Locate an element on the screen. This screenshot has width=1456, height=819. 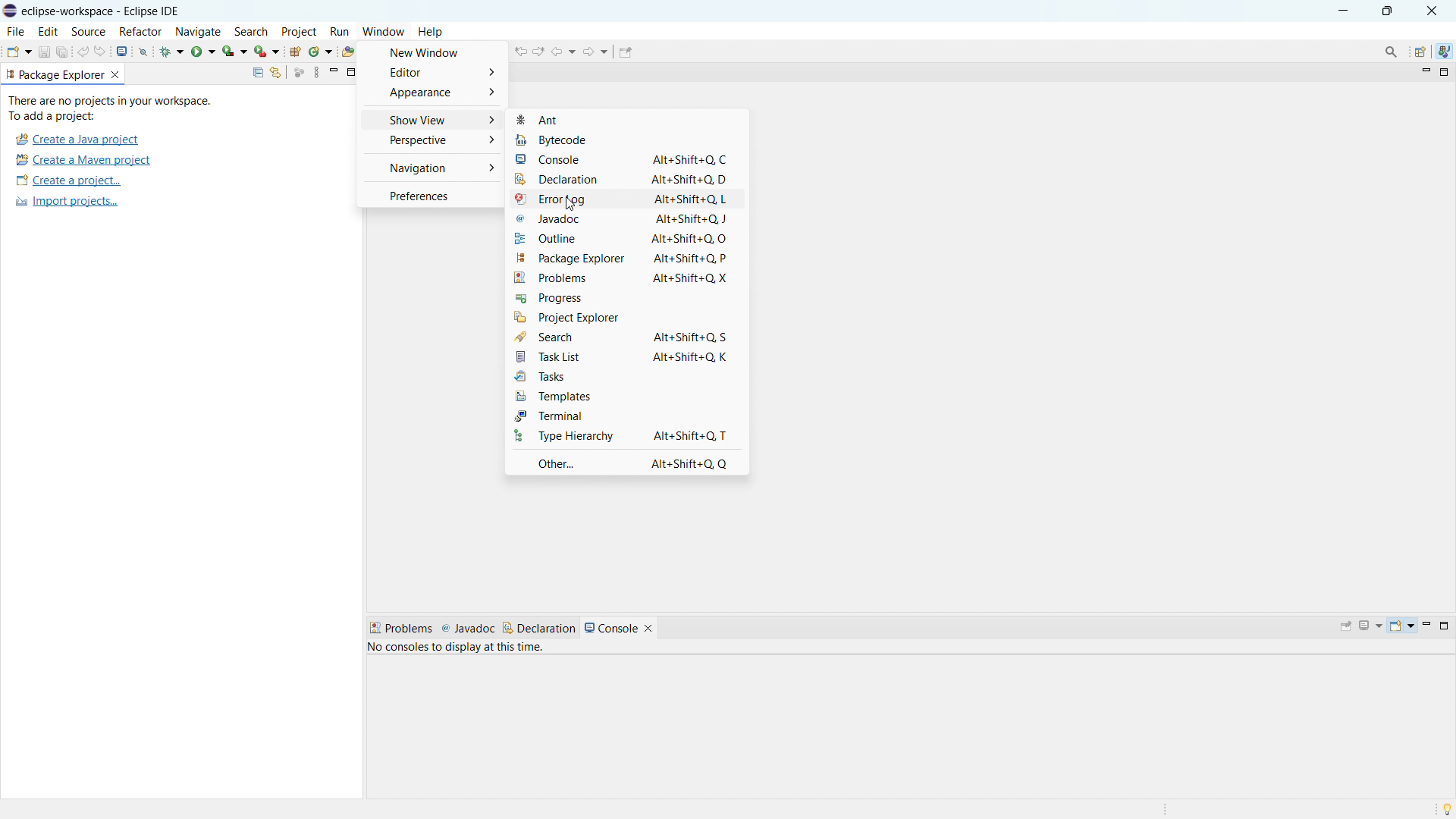
Navigation is located at coordinates (444, 167).